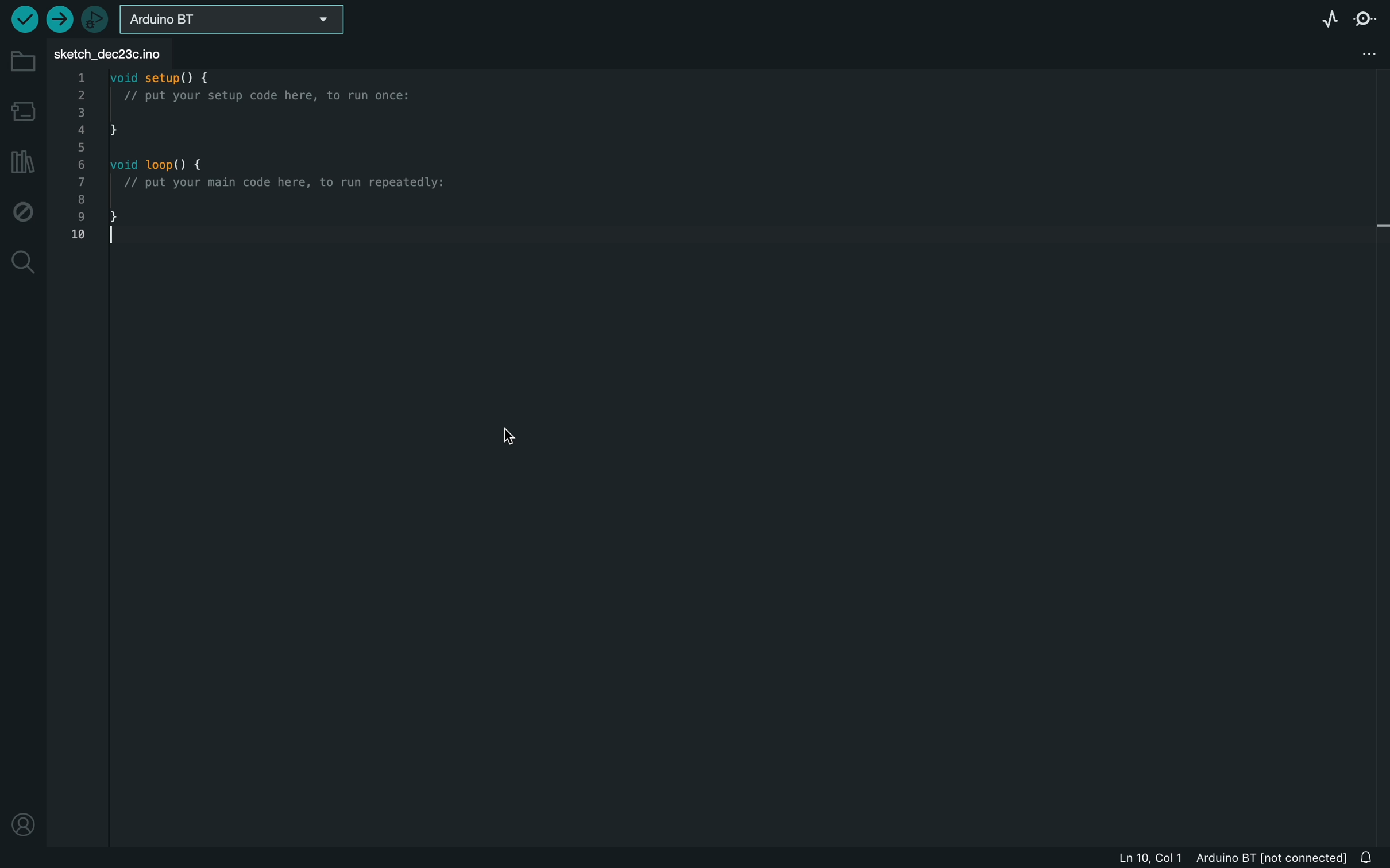 Image resolution: width=1390 pixels, height=868 pixels. I want to click on upload, so click(58, 19).